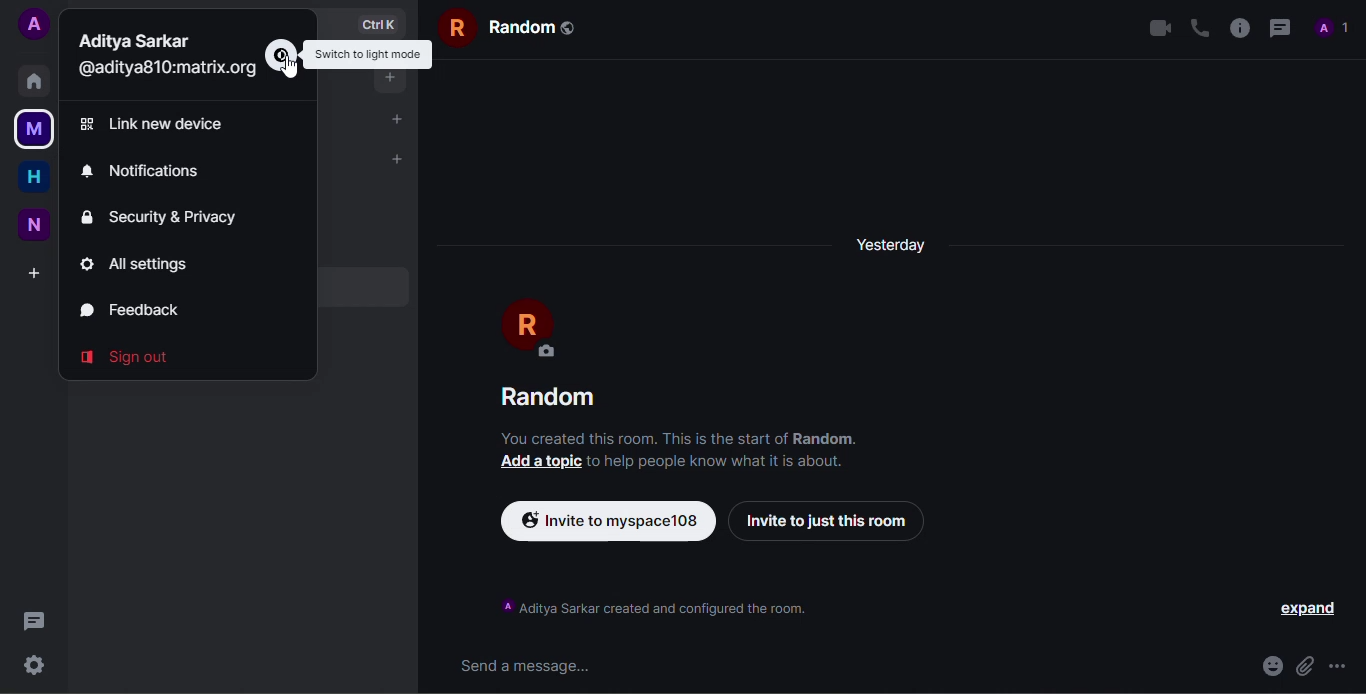  I want to click on invite to myspace108, so click(607, 520).